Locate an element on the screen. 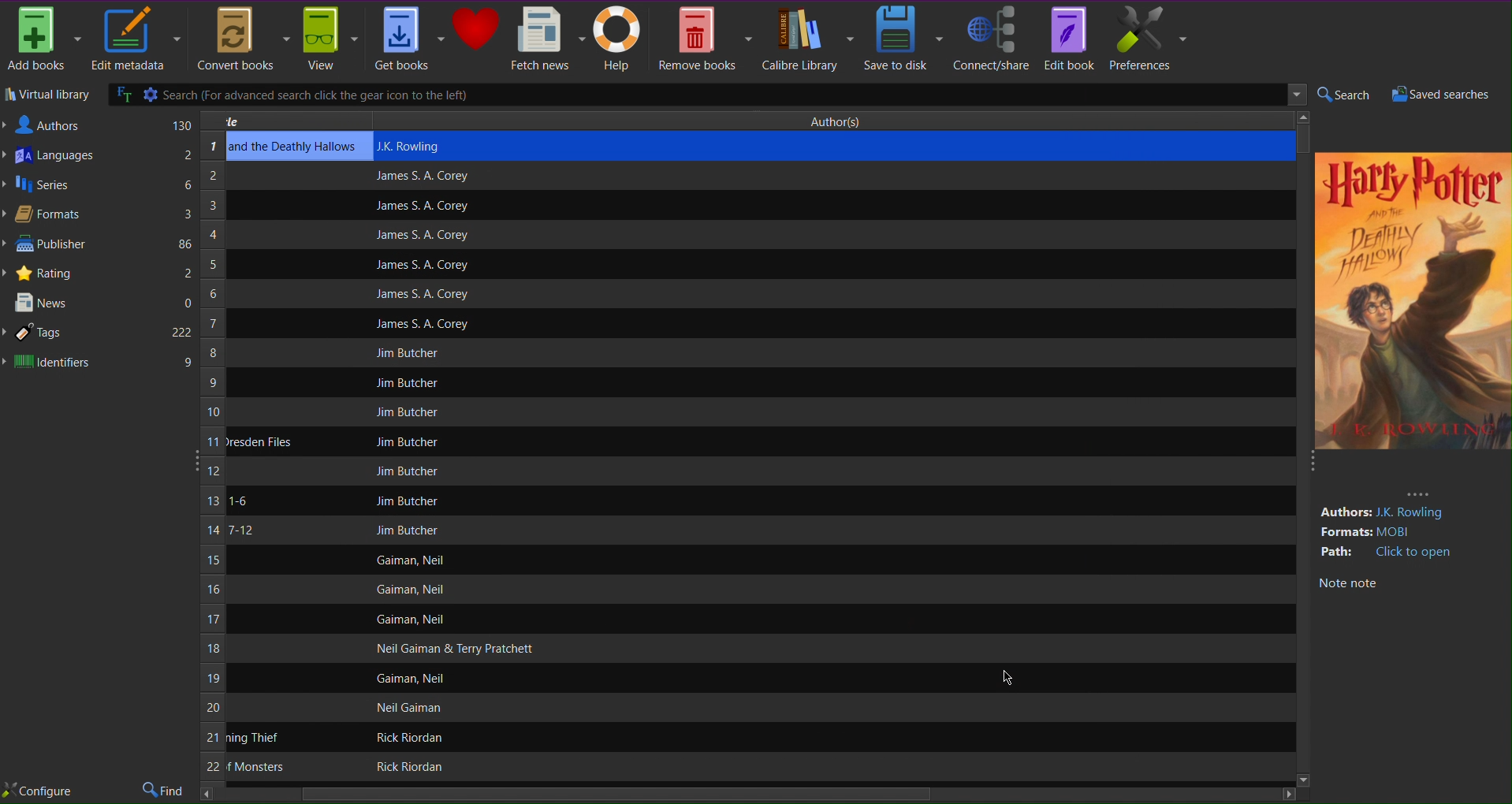 This screenshot has width=1512, height=804. 7-12 is located at coordinates (240, 530).